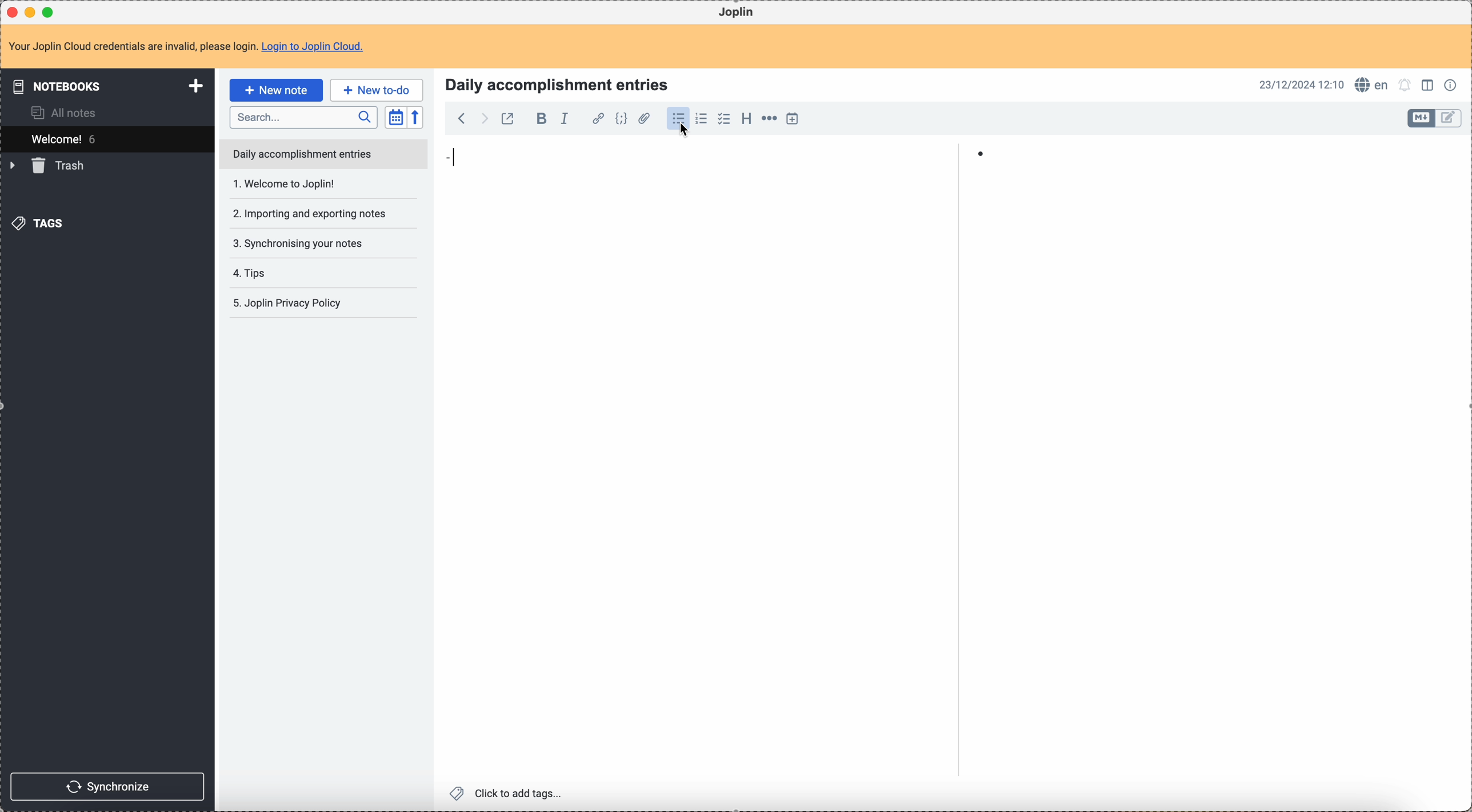 This screenshot has width=1472, height=812. Describe the element at coordinates (555, 83) in the screenshot. I see `Title` at that location.